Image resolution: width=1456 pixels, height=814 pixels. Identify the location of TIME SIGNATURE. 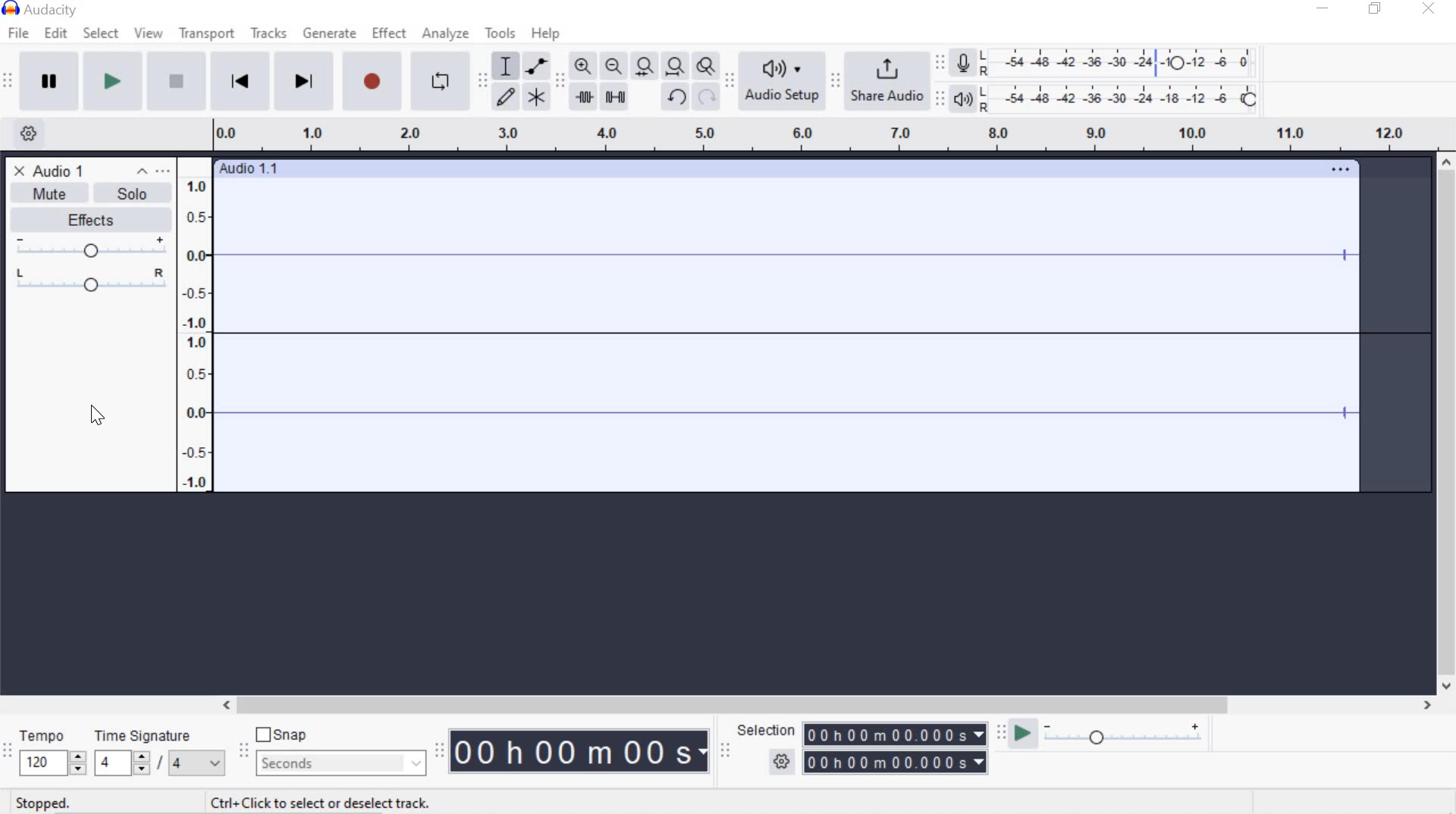
(158, 753).